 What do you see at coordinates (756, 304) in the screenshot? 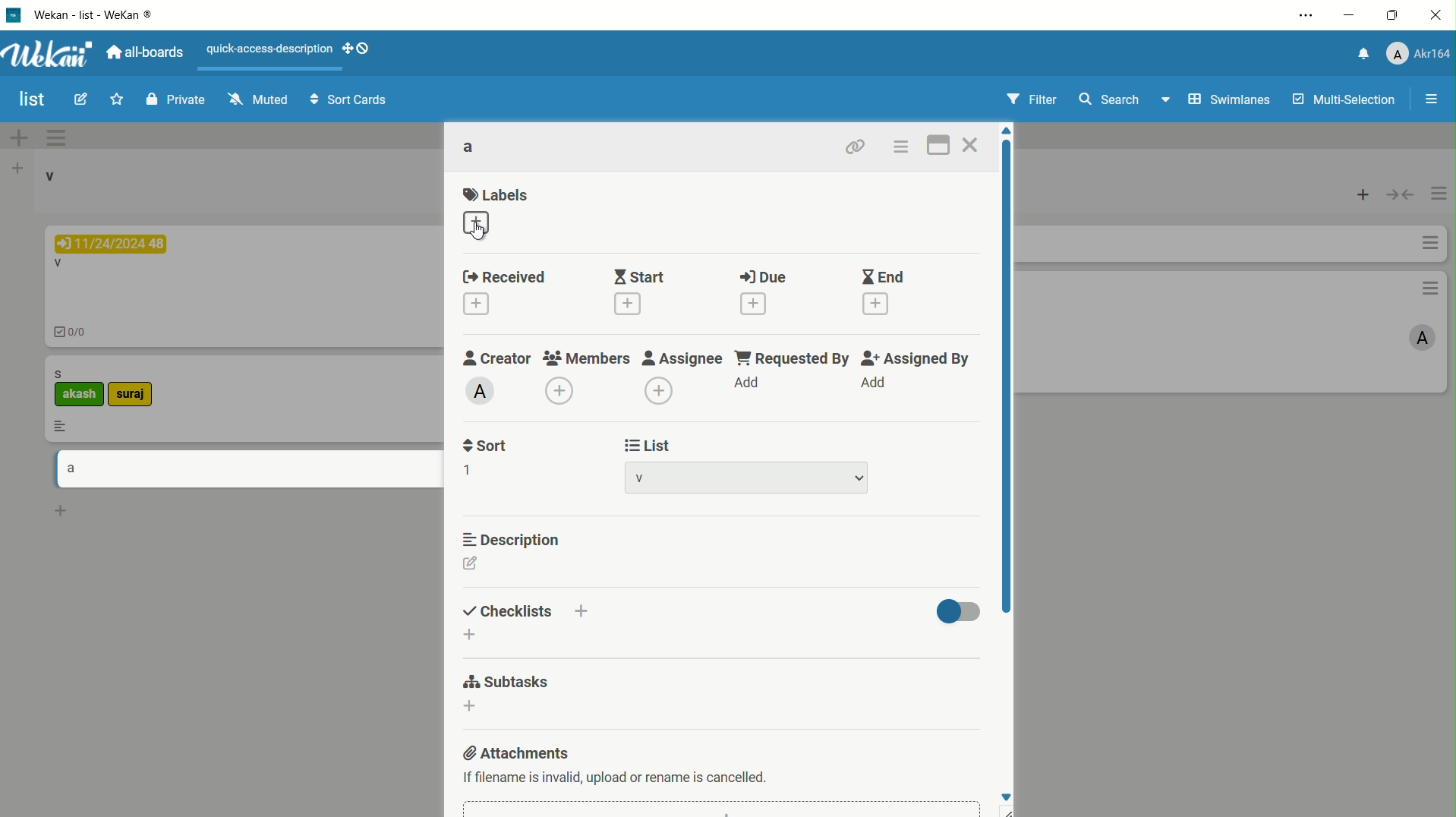
I see `add due date` at bounding box center [756, 304].